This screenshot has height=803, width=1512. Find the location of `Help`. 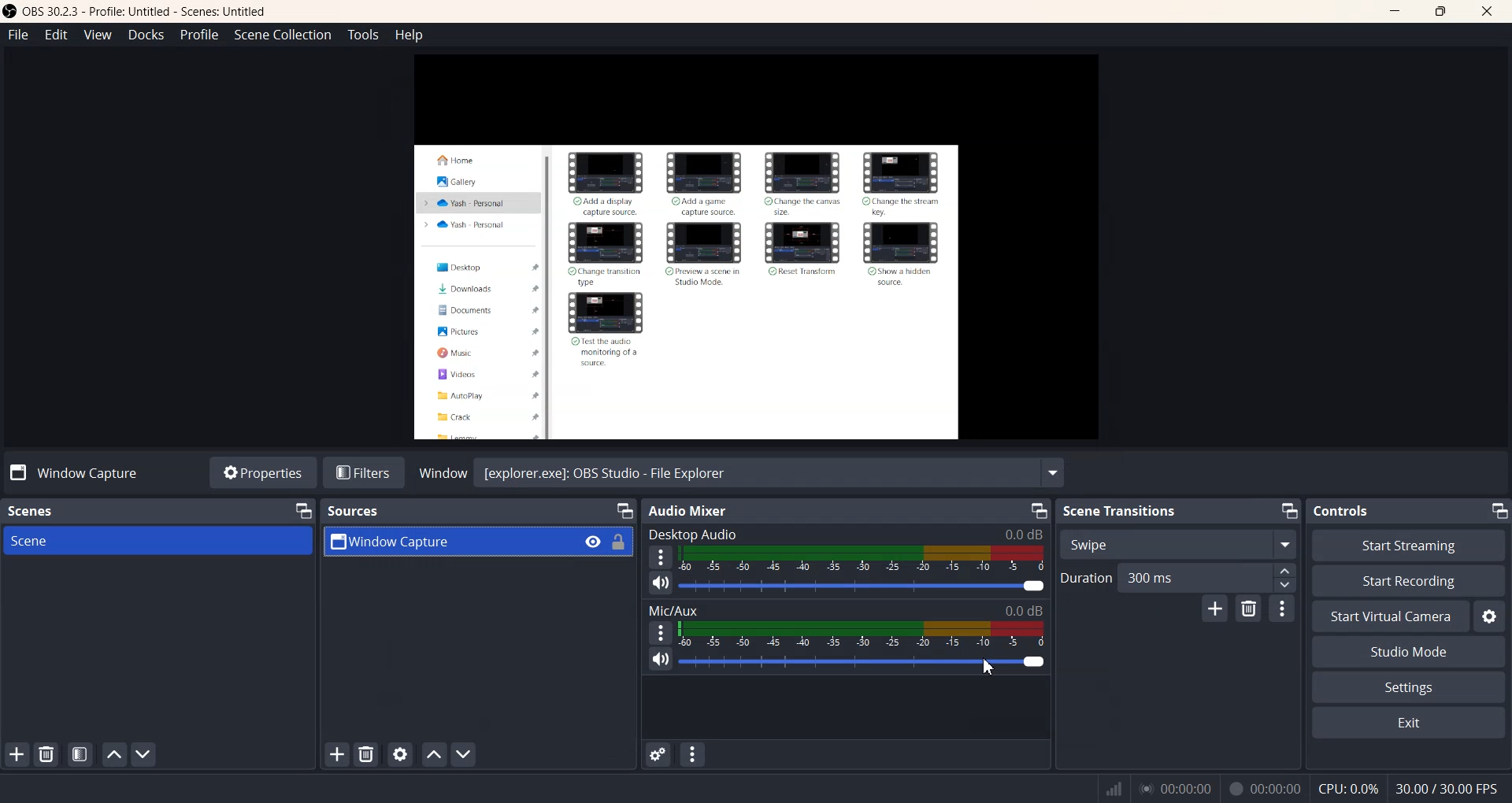

Help is located at coordinates (411, 35).